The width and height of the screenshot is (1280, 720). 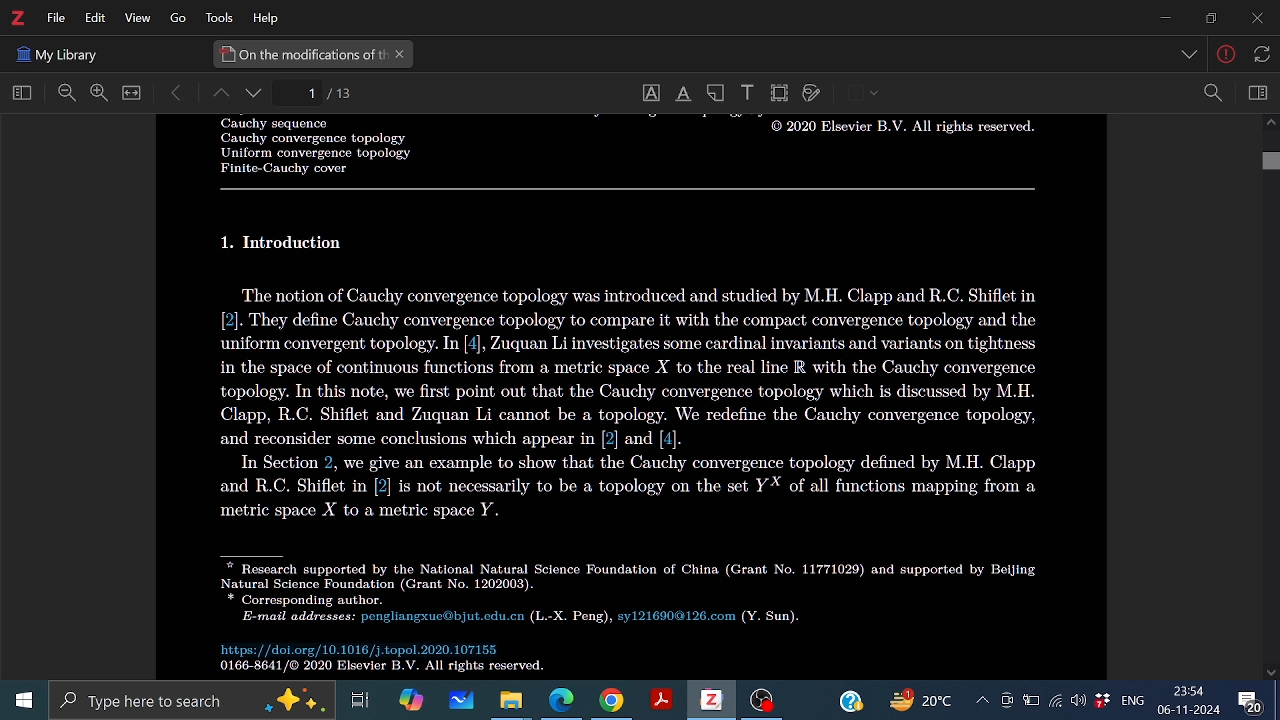 I want to click on Sidebar view, so click(x=1255, y=93).